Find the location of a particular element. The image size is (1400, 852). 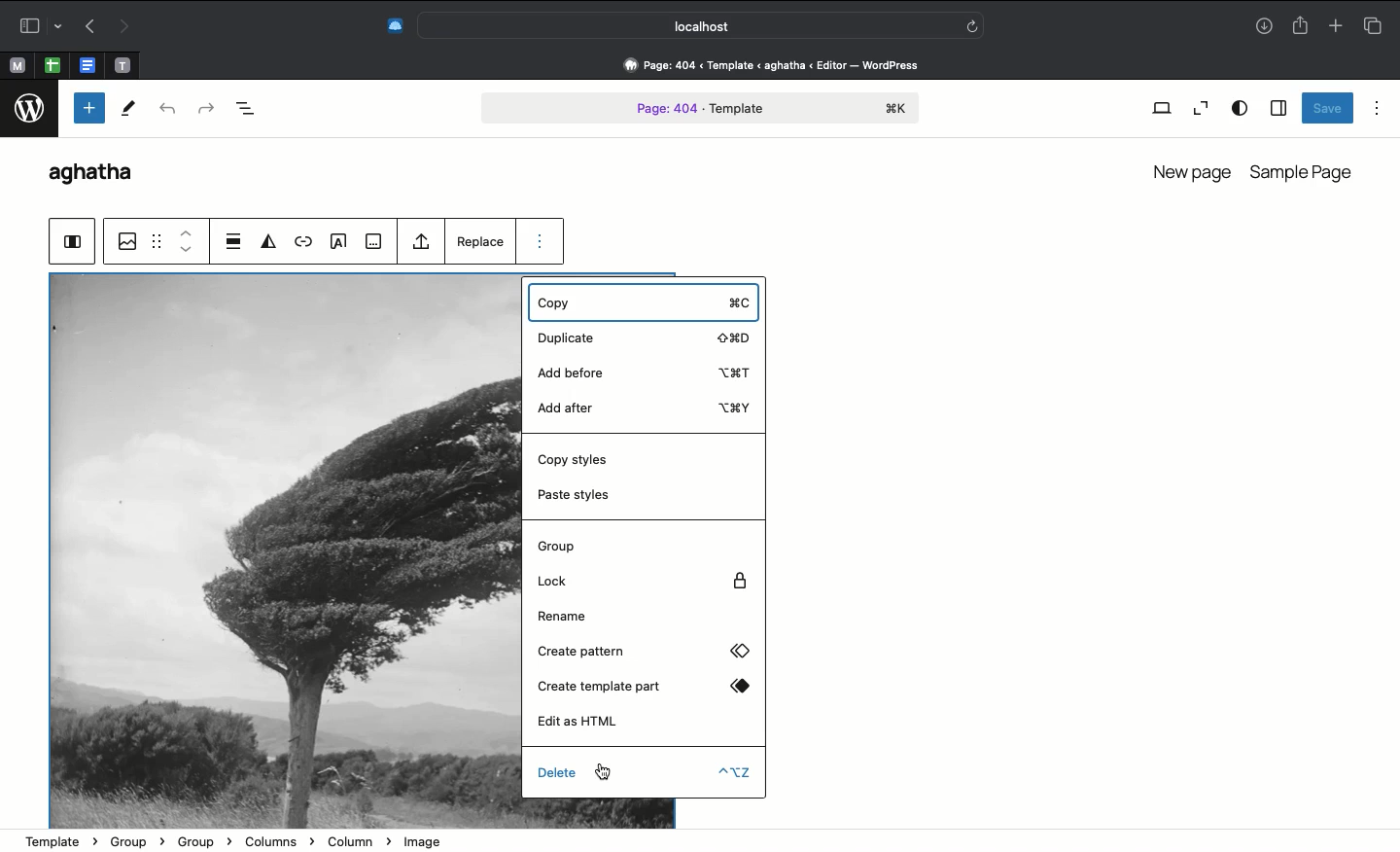

View is located at coordinates (1161, 110).